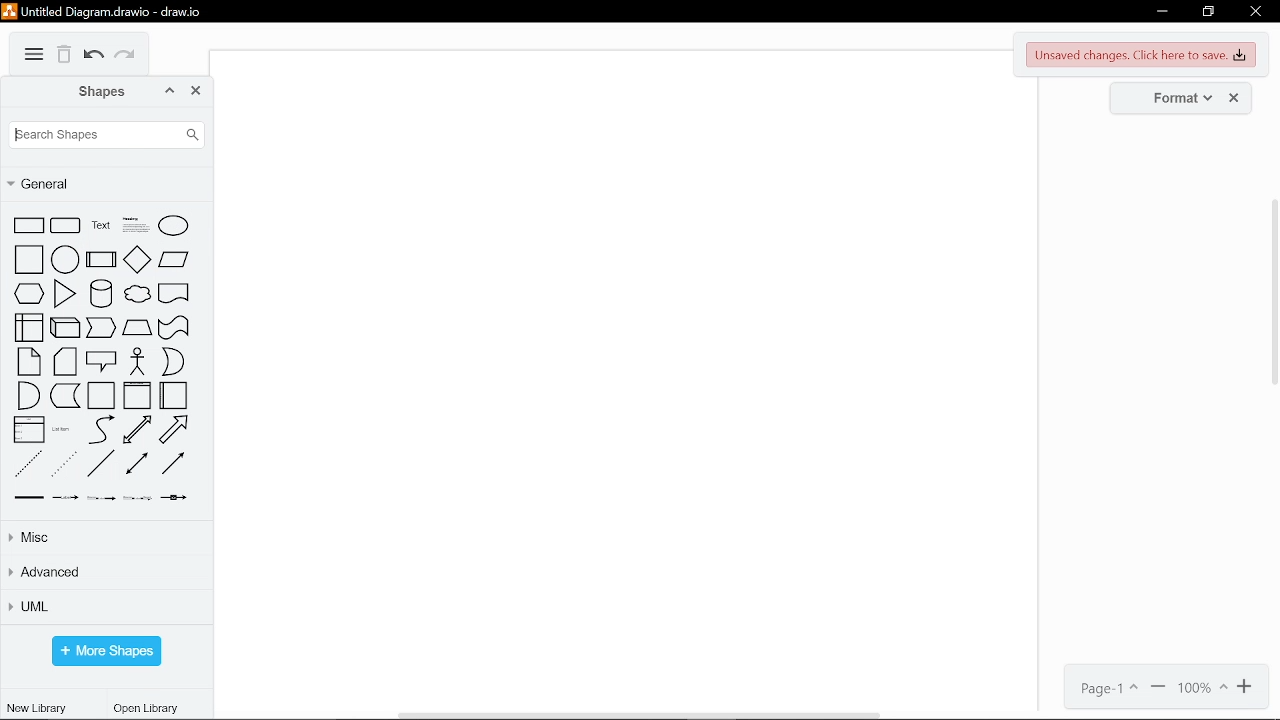  I want to click on more shapes, so click(106, 651).